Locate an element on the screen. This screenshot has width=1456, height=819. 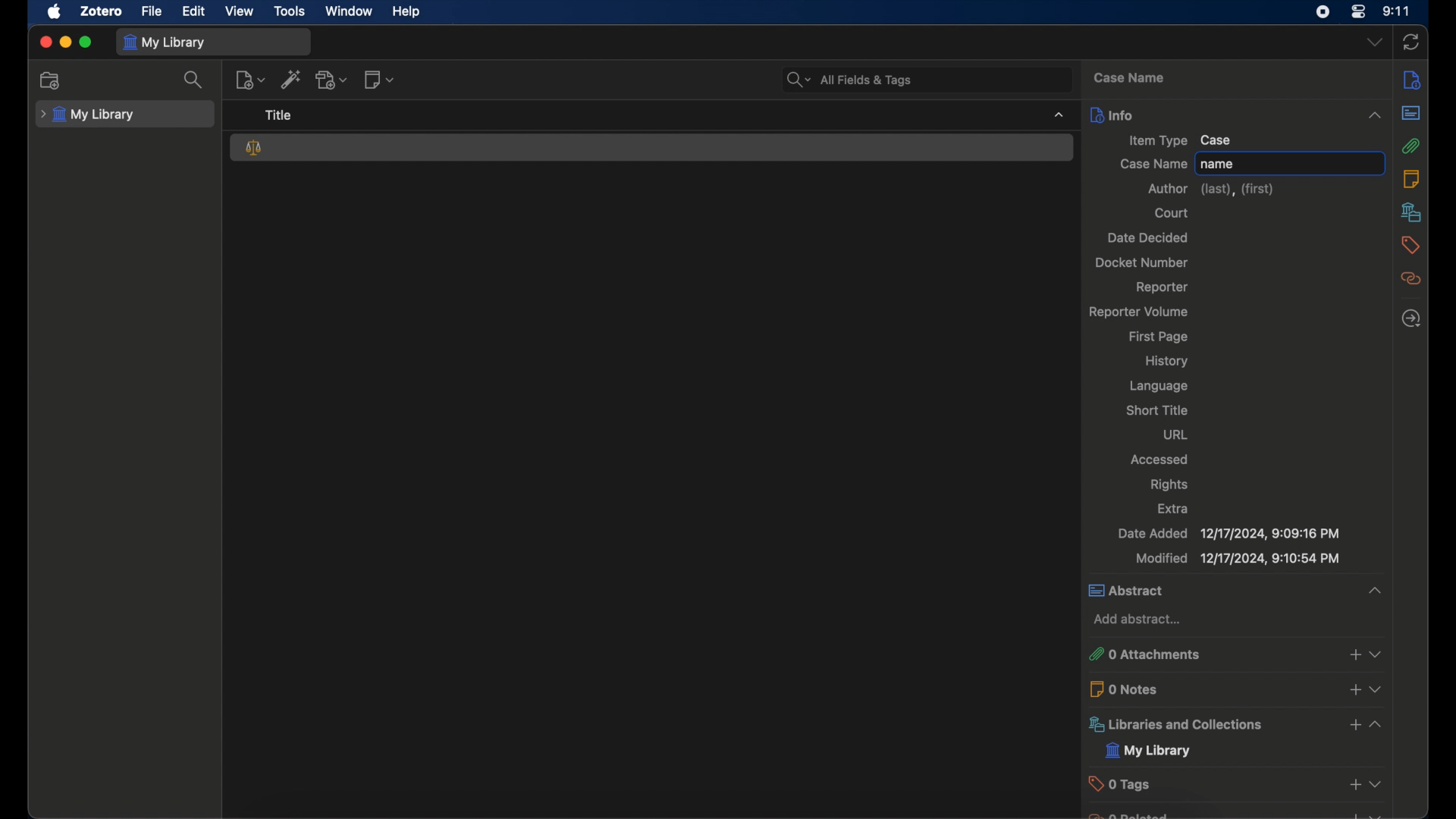
file is located at coordinates (152, 12).